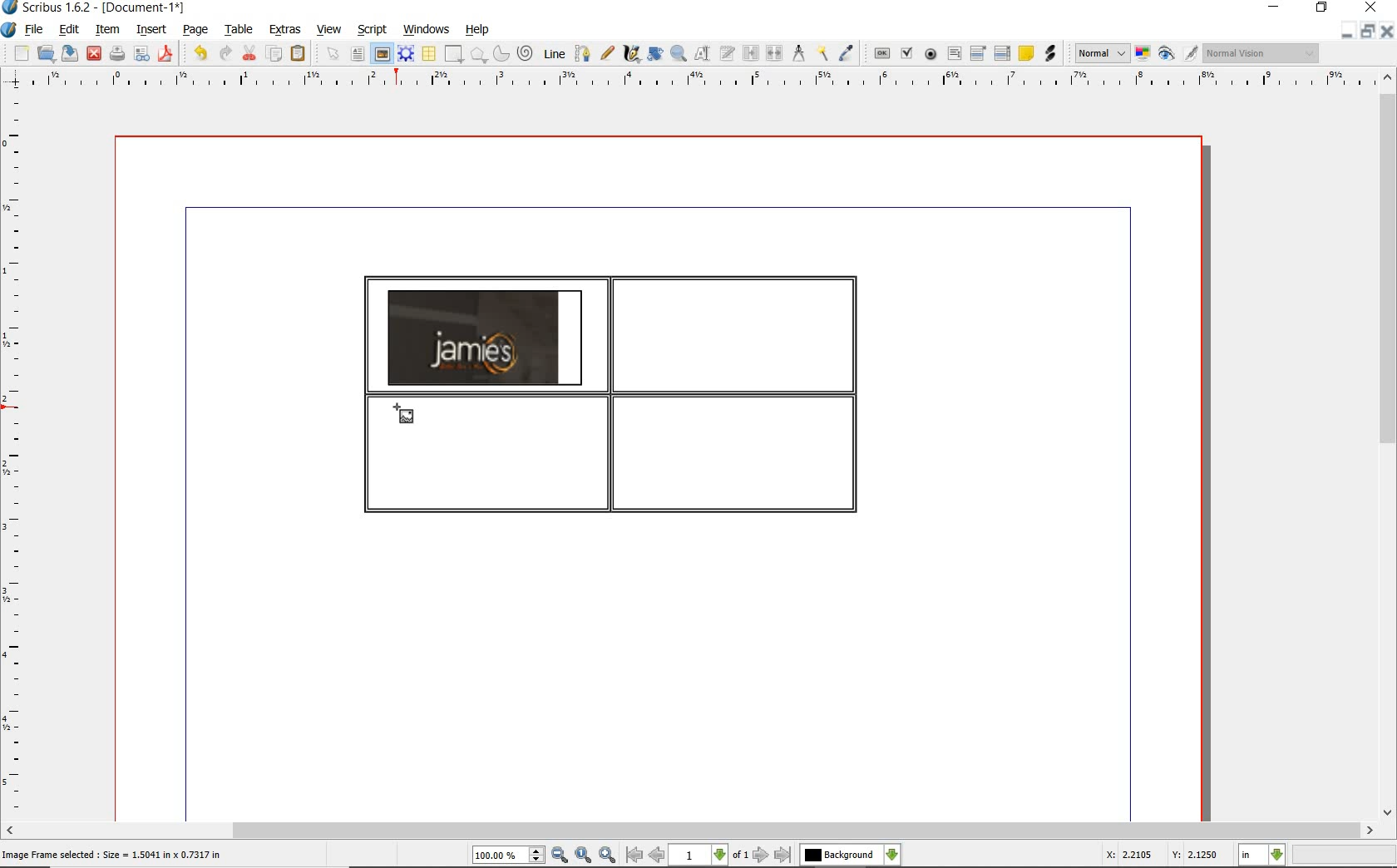 The height and width of the screenshot is (868, 1397). I want to click on render frame, so click(406, 52).